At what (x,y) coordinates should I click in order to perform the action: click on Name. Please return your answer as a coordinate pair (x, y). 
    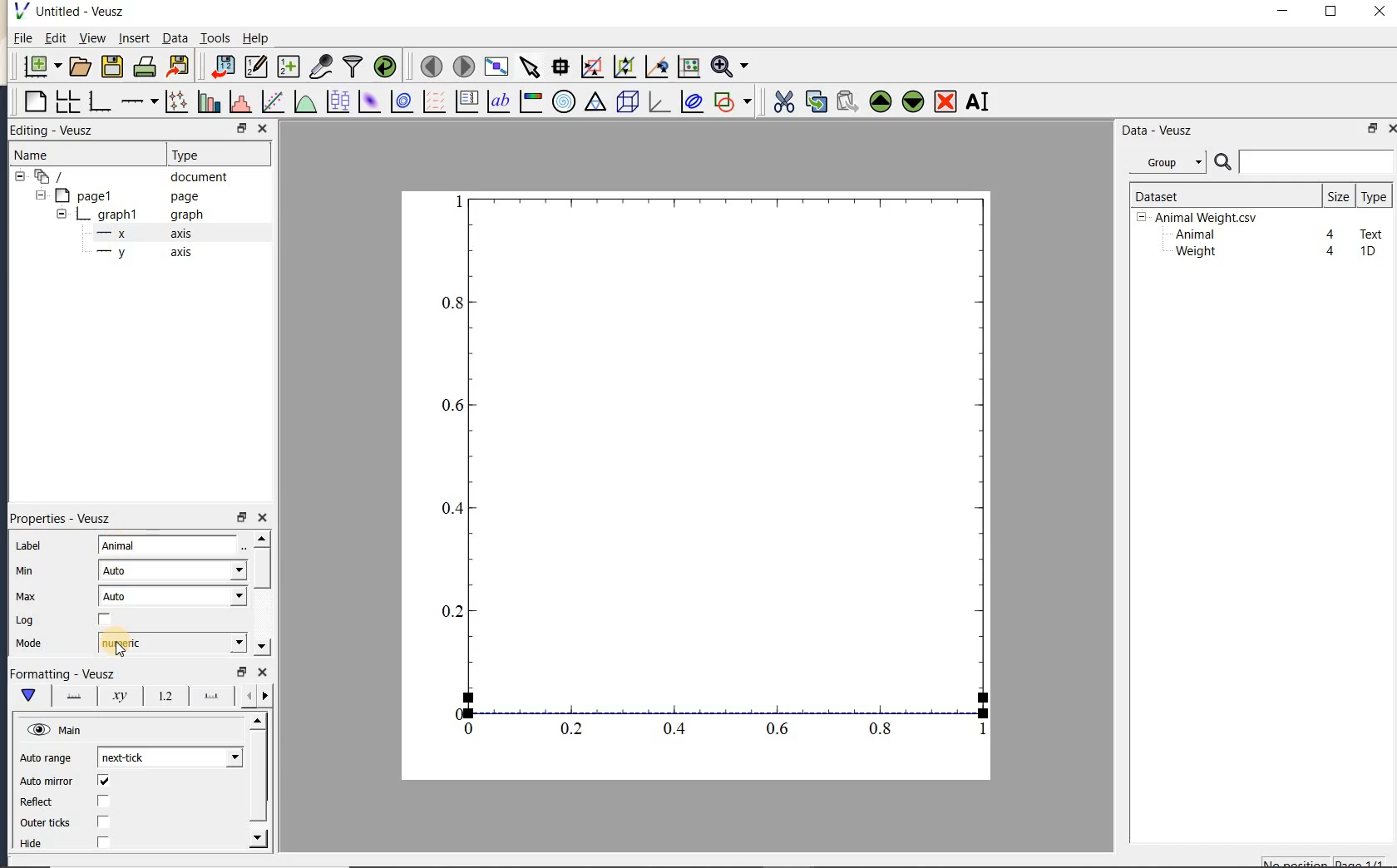
    Looking at the image, I should click on (49, 155).